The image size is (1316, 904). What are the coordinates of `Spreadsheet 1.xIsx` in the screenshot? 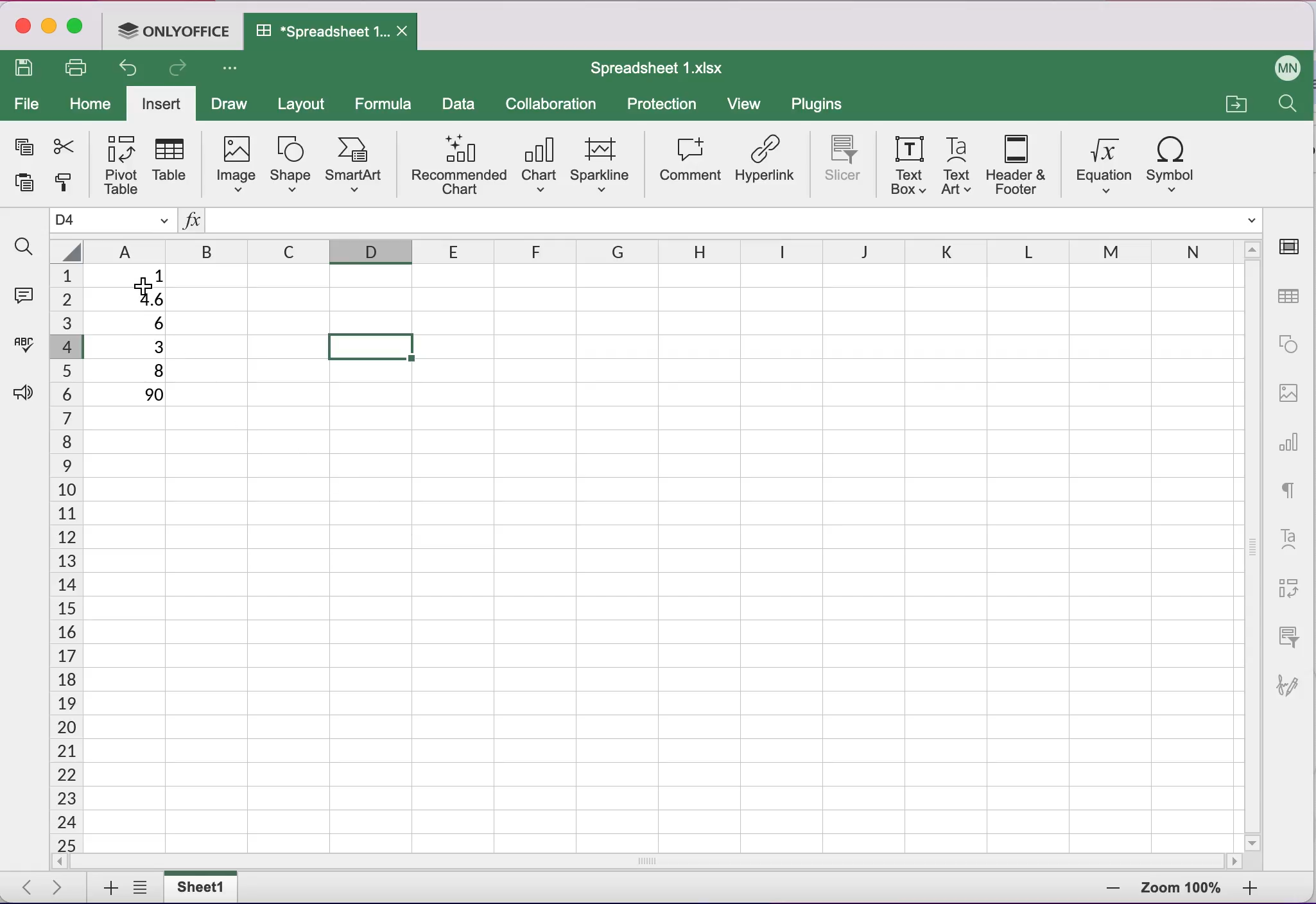 It's located at (656, 67).